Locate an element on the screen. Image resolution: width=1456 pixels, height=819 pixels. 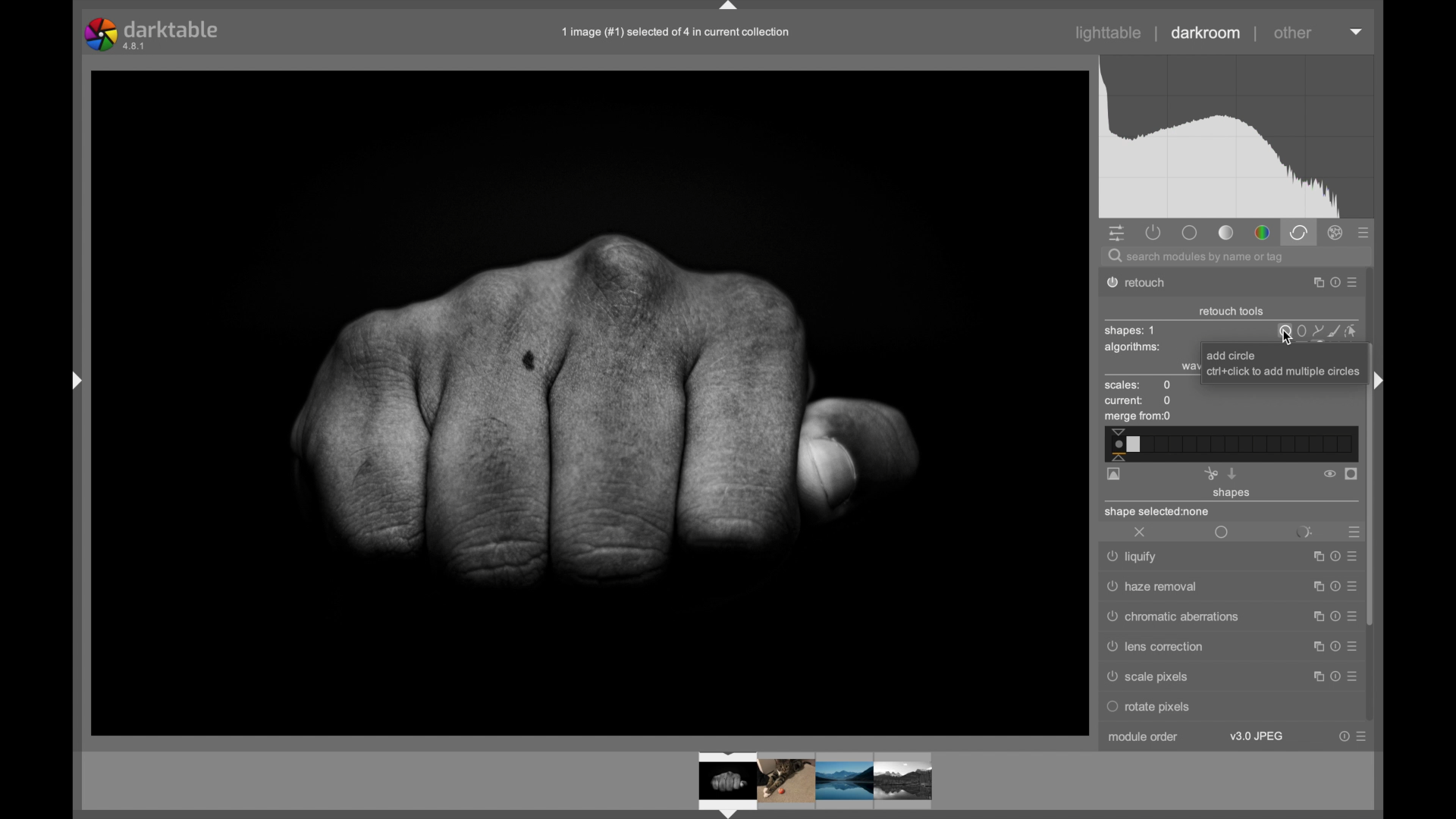
more options is located at coordinates (1361, 736).